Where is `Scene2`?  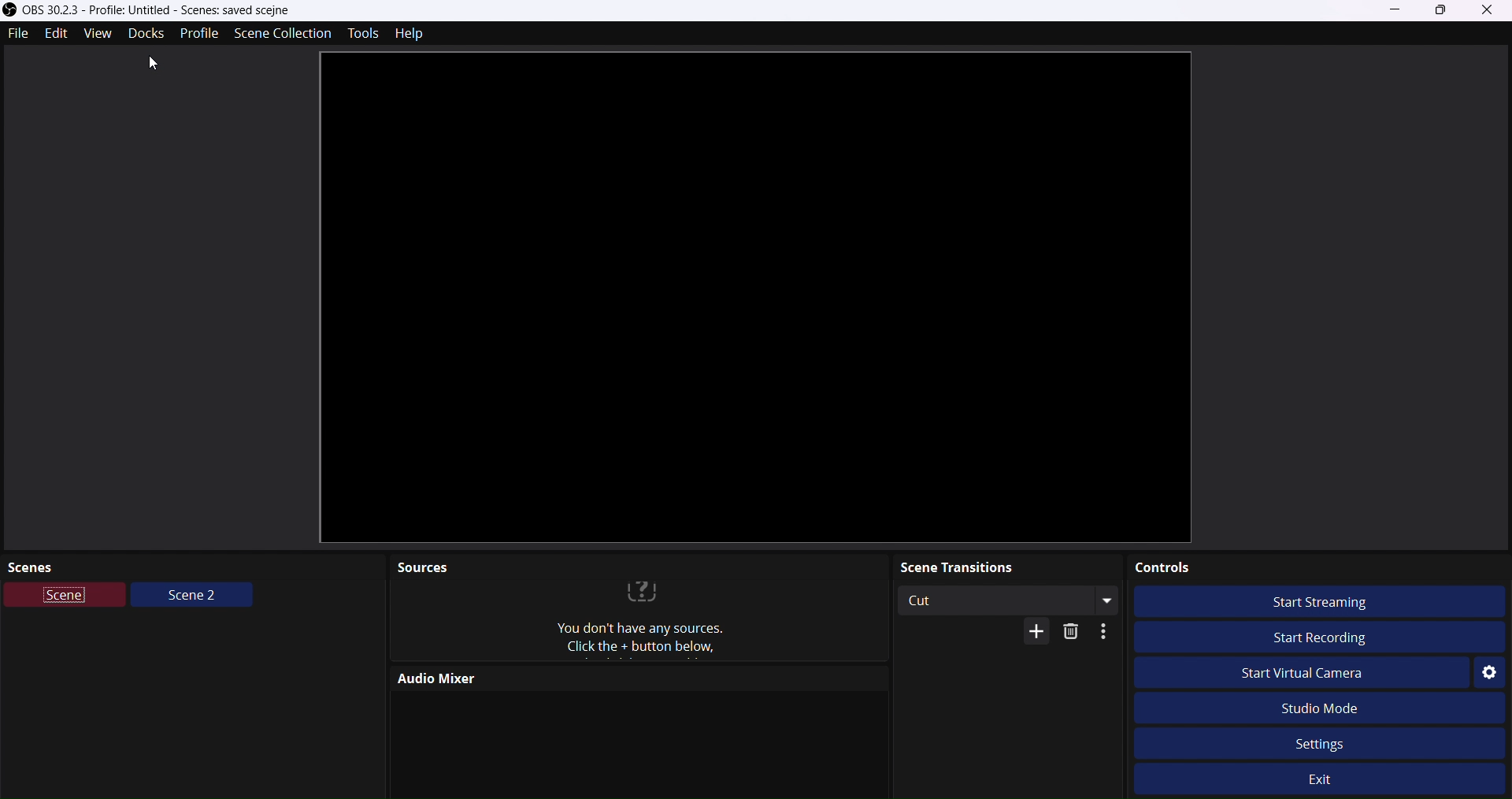
Scene2 is located at coordinates (192, 598).